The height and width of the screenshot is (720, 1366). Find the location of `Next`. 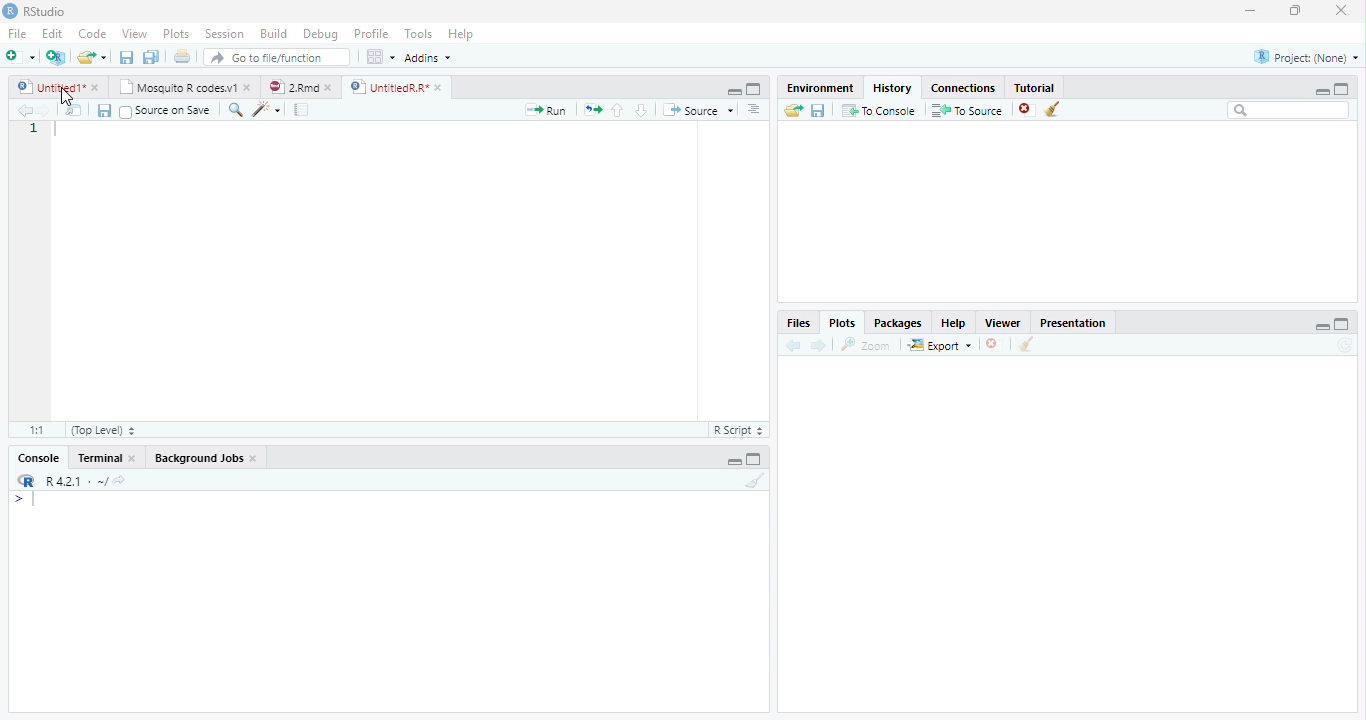

Next is located at coordinates (819, 349).